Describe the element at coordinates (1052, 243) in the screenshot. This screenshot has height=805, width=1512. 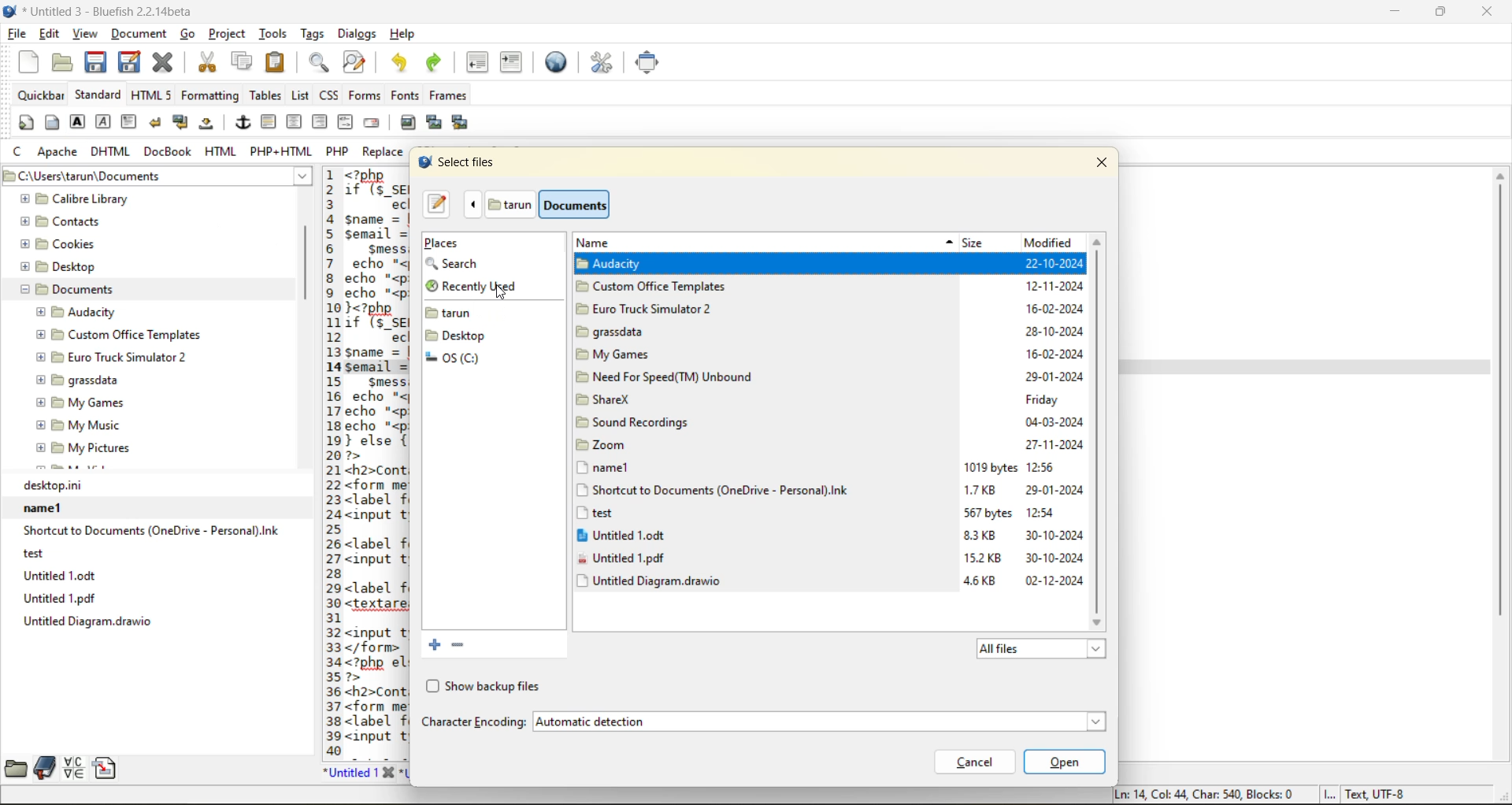
I see `modified` at that location.